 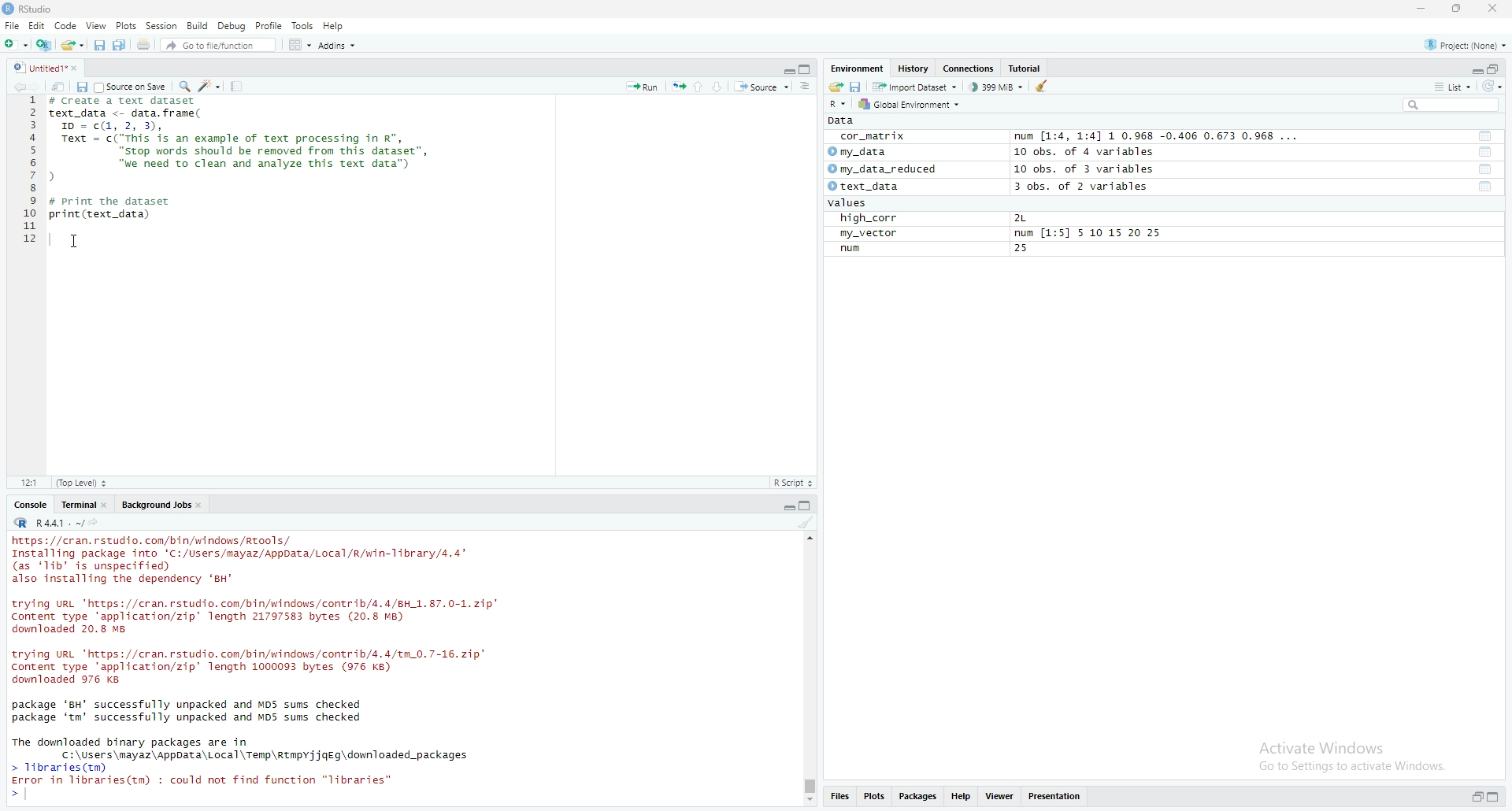 I want to click on save workspace, so click(x=857, y=87).